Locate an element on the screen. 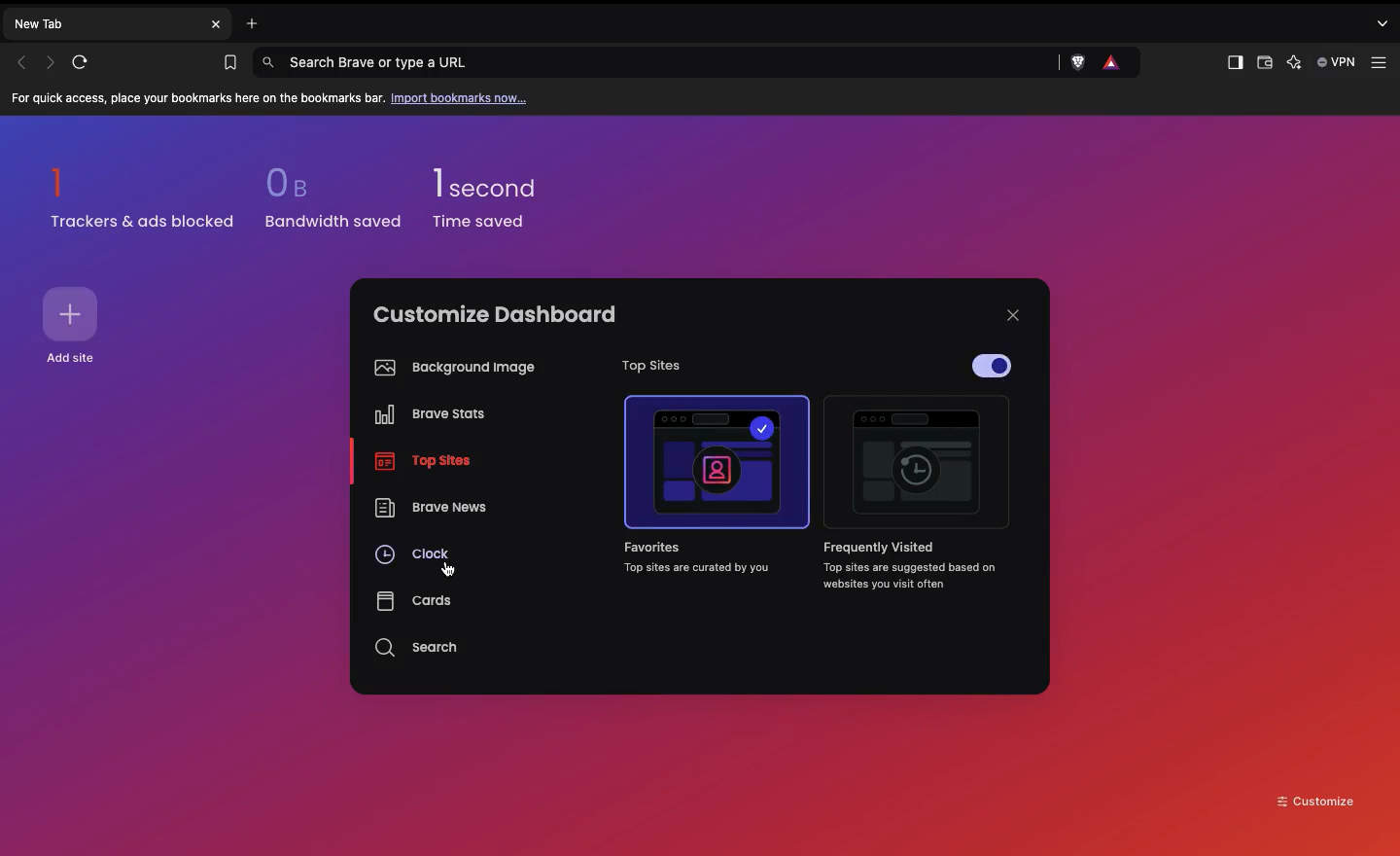  Search Brave or type a URL is located at coordinates (657, 61).